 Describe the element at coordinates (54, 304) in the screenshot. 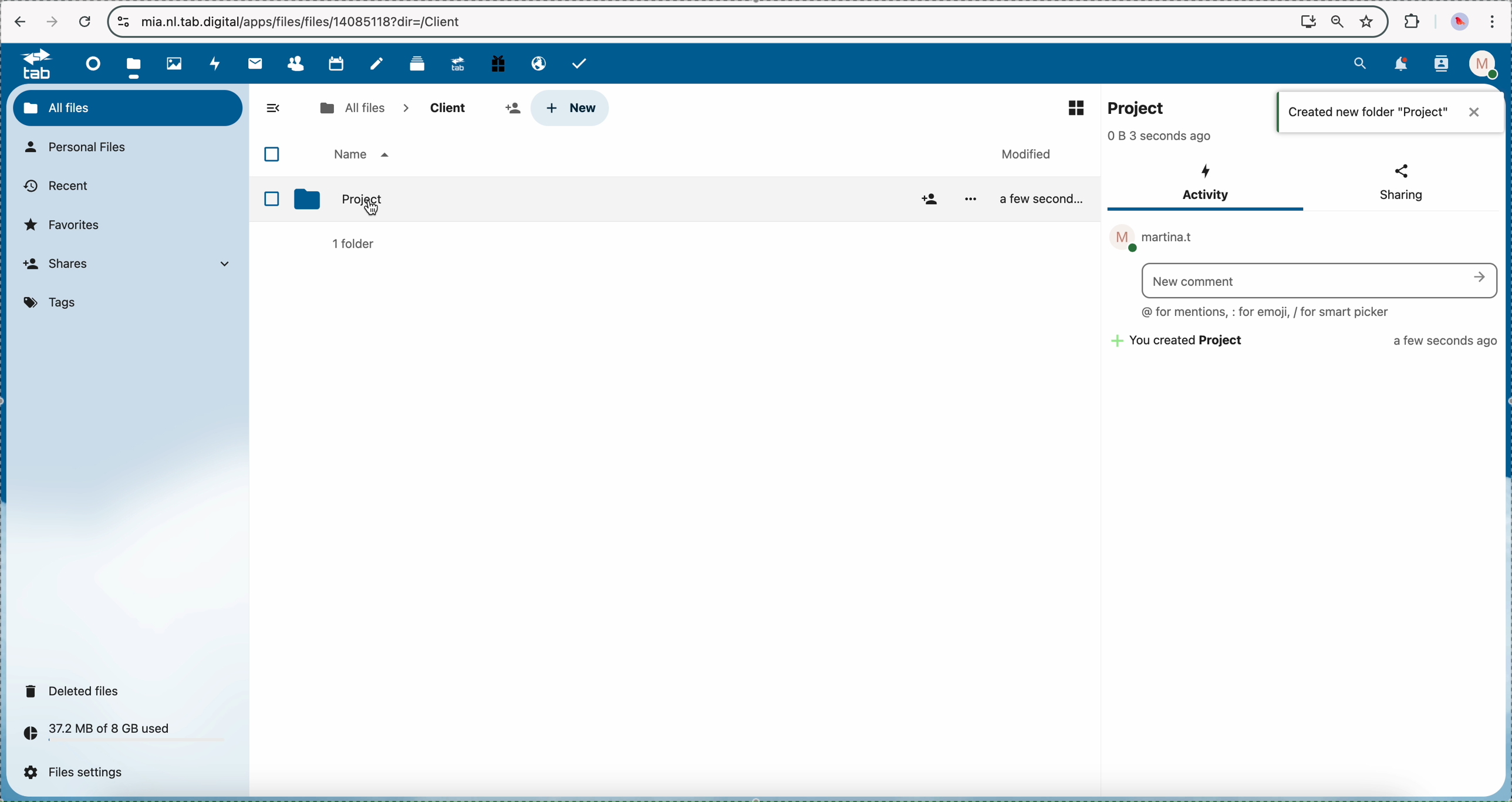

I see `tags` at that location.